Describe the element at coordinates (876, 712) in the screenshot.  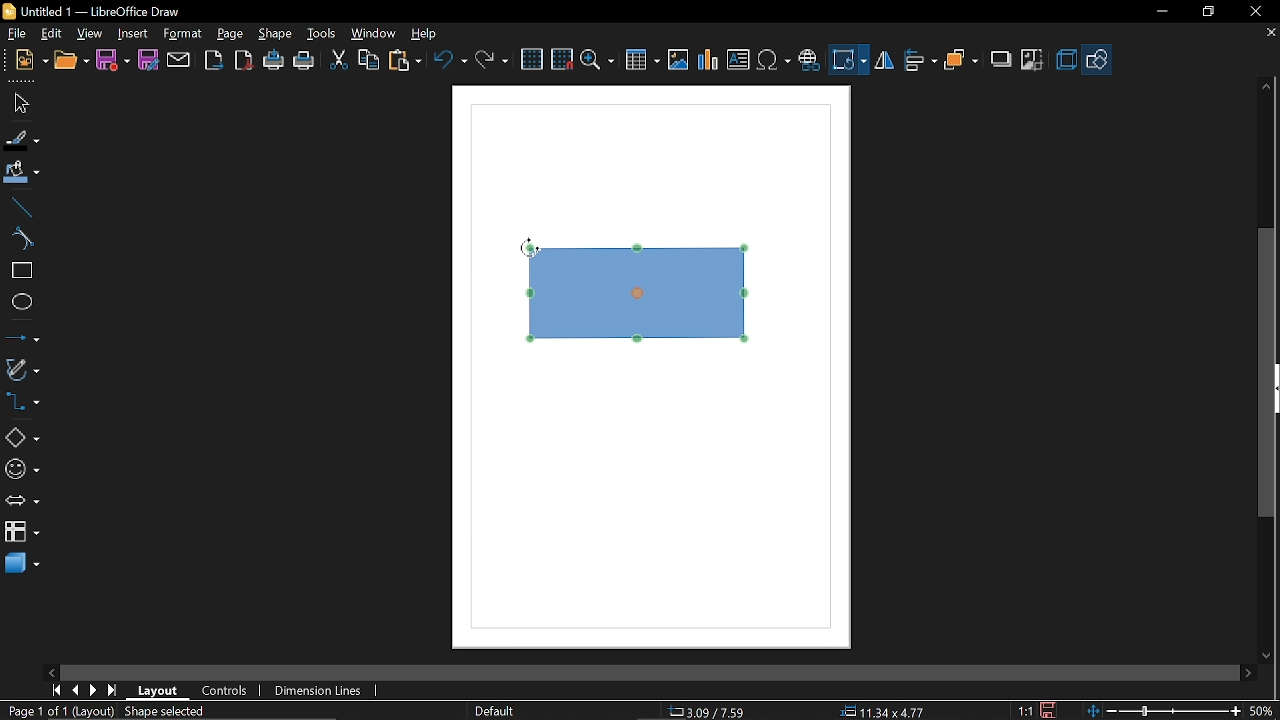
I see `0.00x0.00` at that location.